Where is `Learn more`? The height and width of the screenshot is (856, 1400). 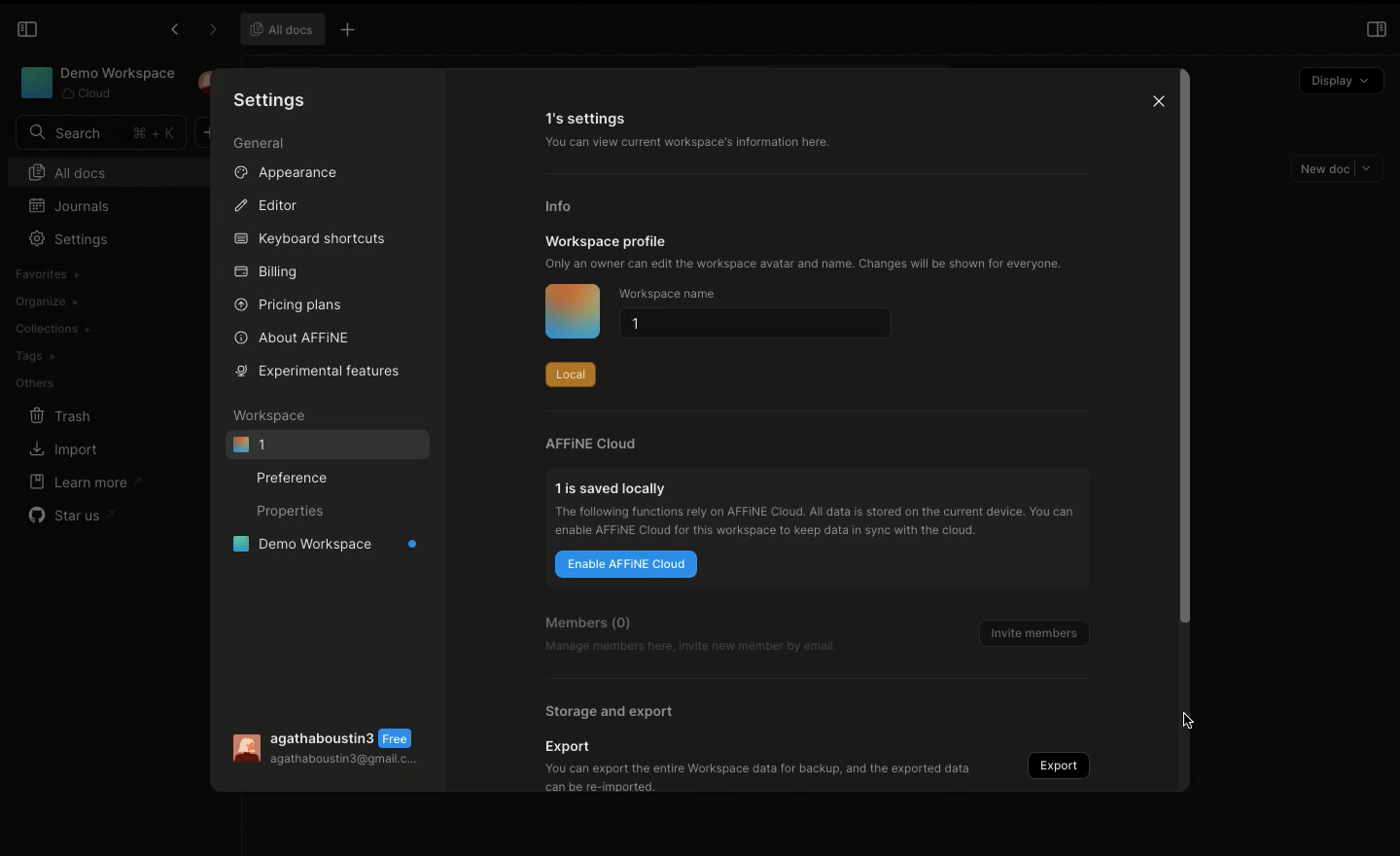
Learn more is located at coordinates (87, 481).